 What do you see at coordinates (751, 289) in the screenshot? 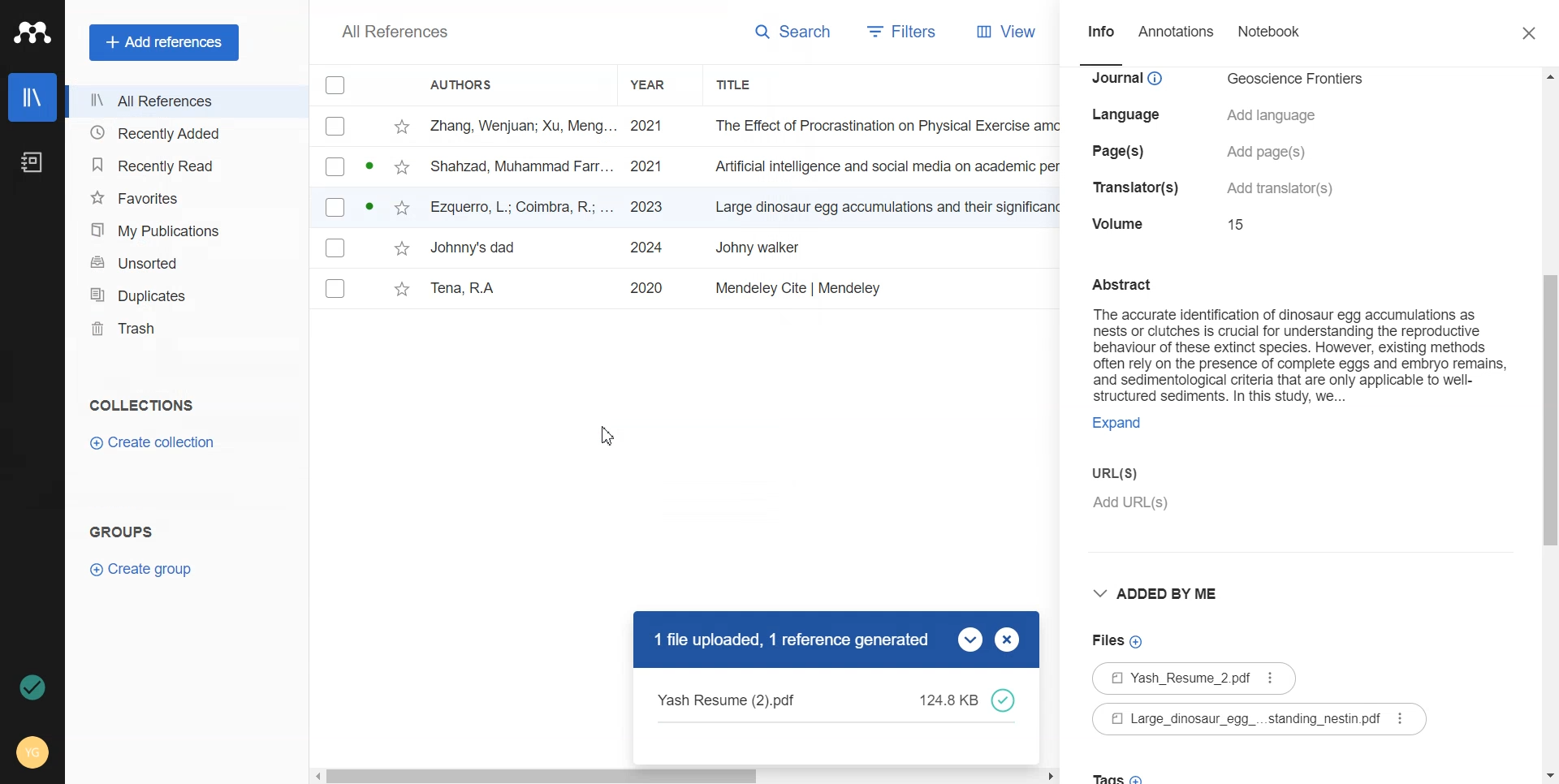
I see `File` at bounding box center [751, 289].